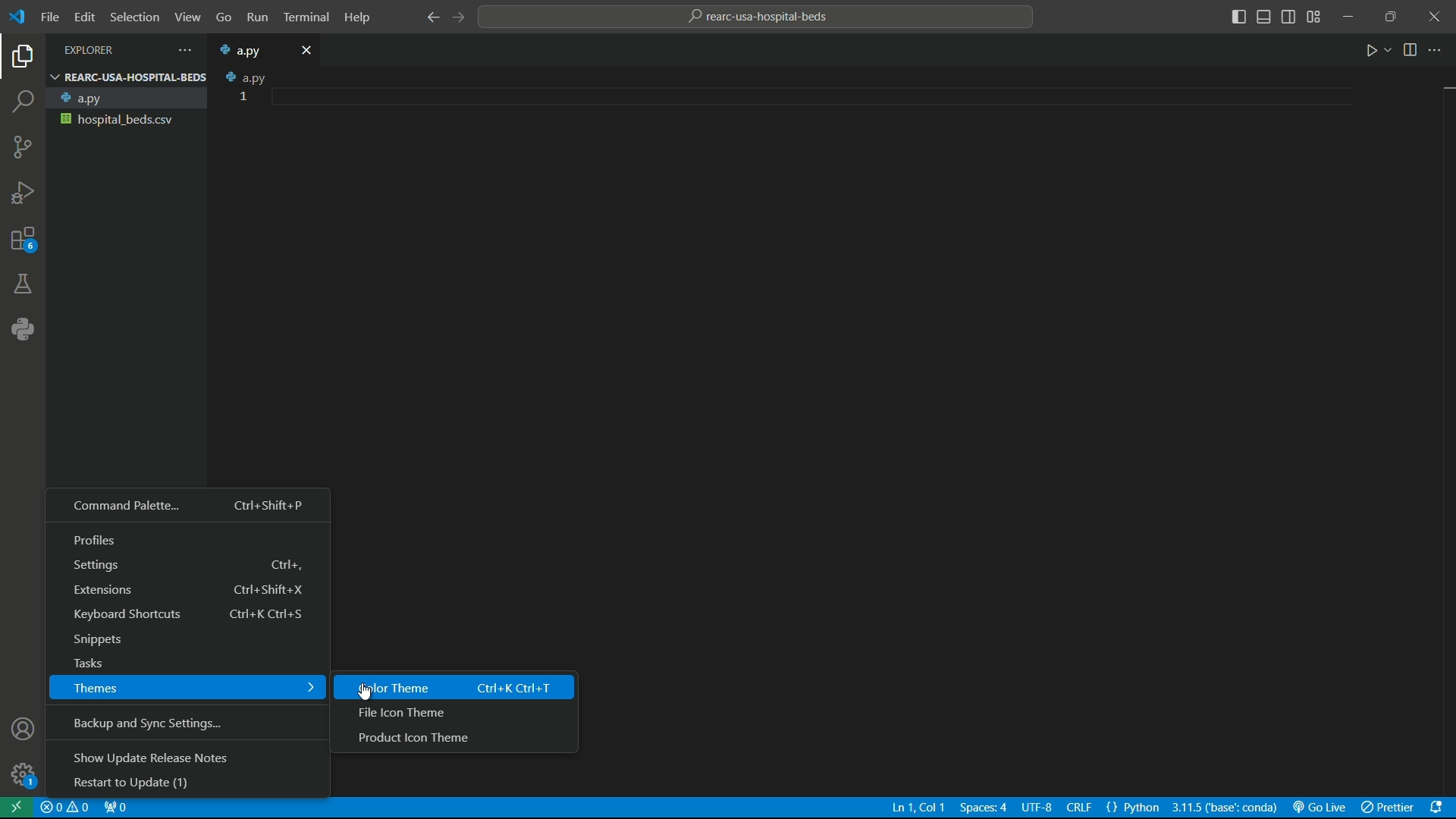 The width and height of the screenshot is (1456, 819). I want to click on cursor, so click(366, 692).